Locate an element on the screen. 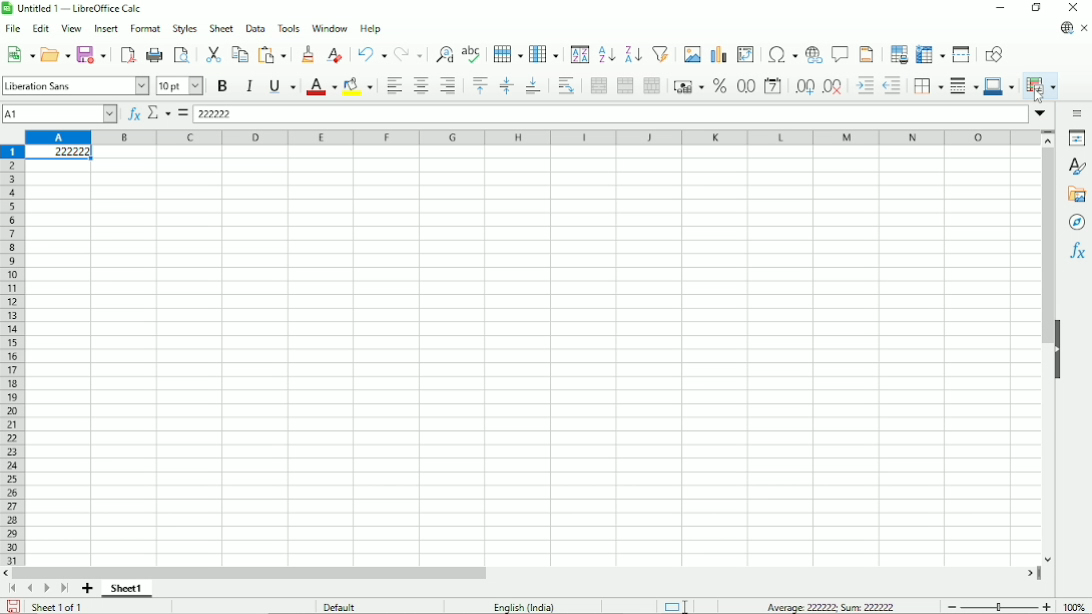 The image size is (1092, 614). Copy is located at coordinates (239, 53).